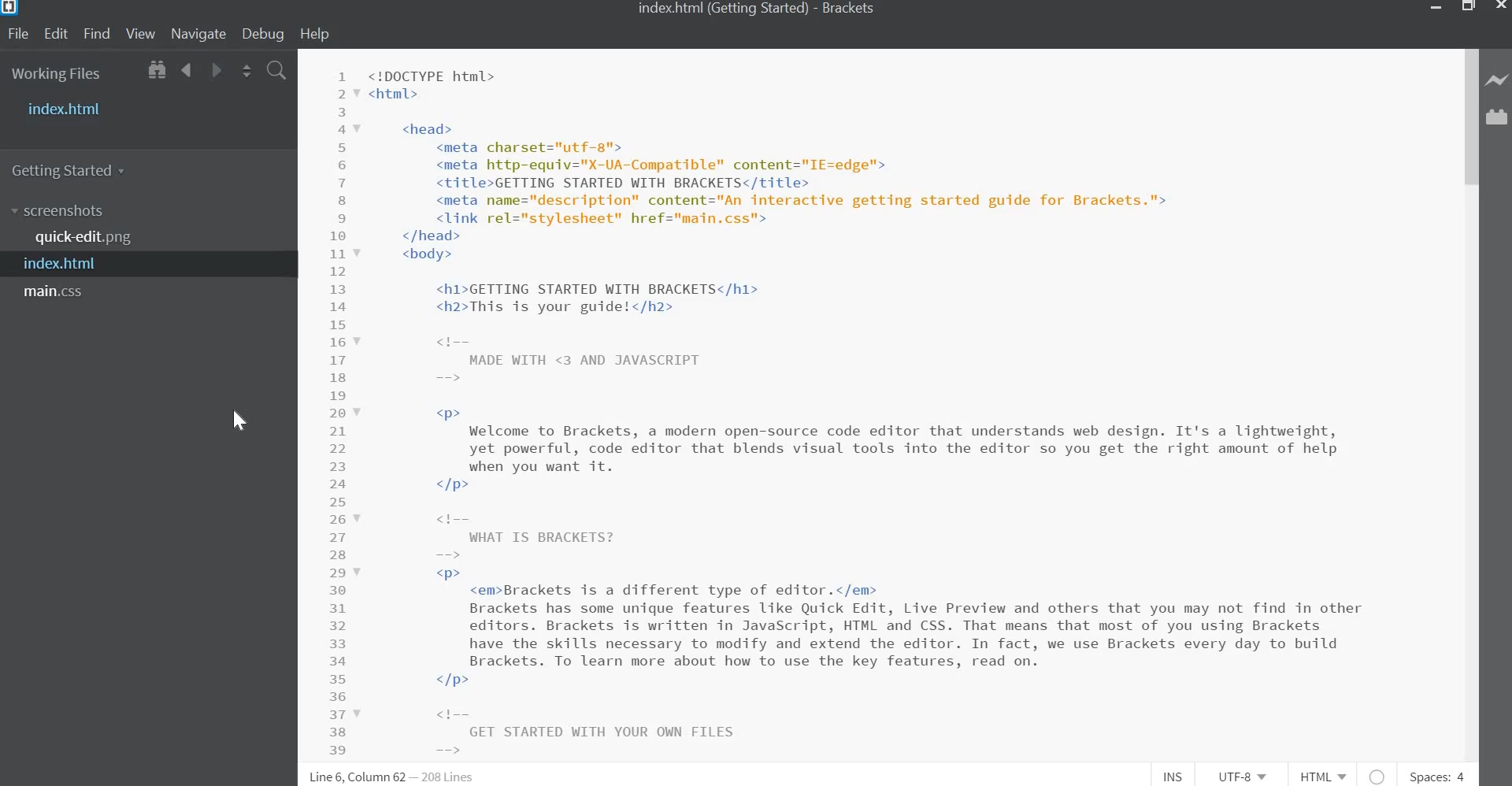 The width and height of the screenshot is (1512, 786). Describe the element at coordinates (155, 72) in the screenshot. I see `Show in File Tree` at that location.